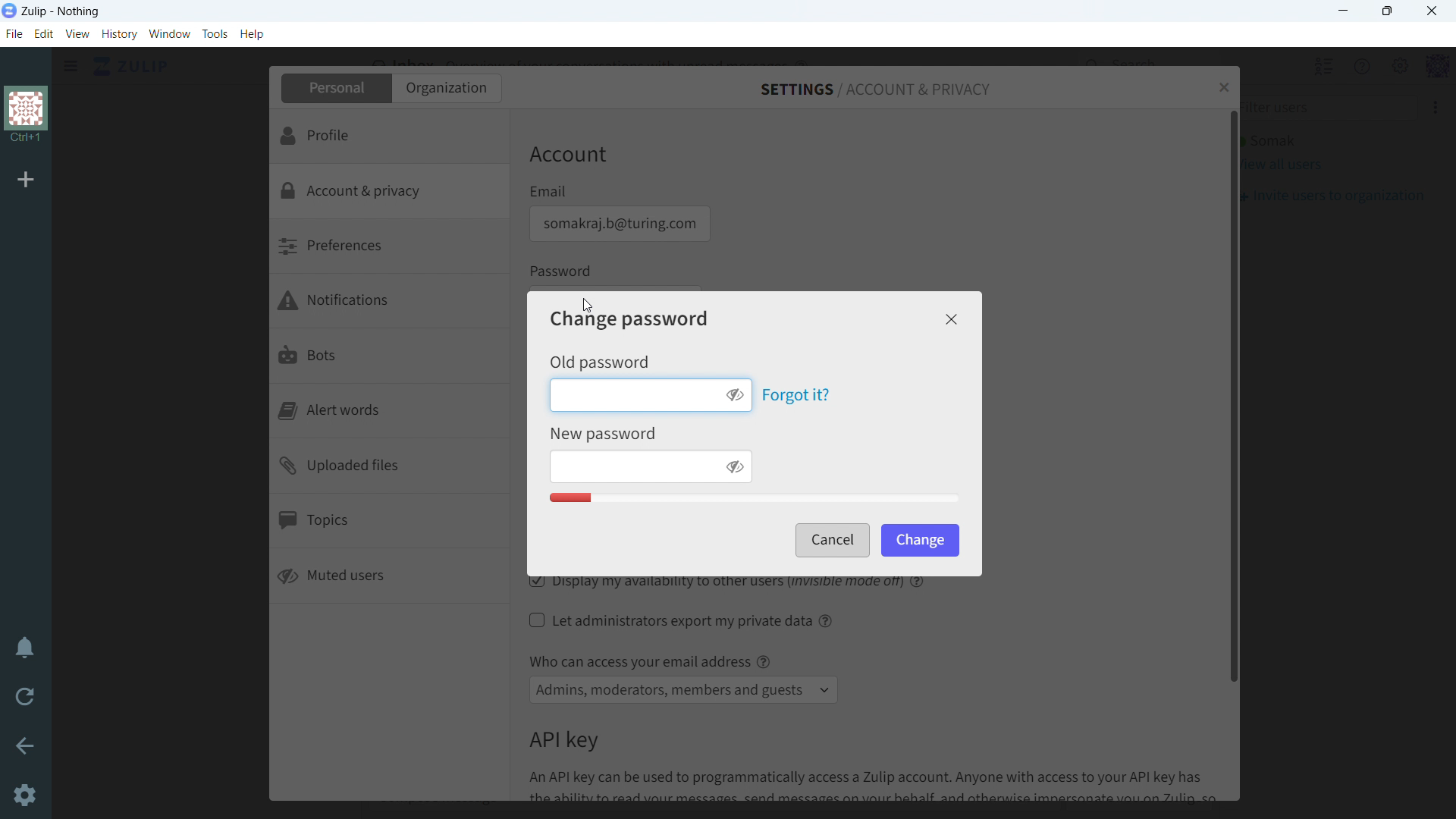  Describe the element at coordinates (563, 271) in the screenshot. I see `Password` at that location.